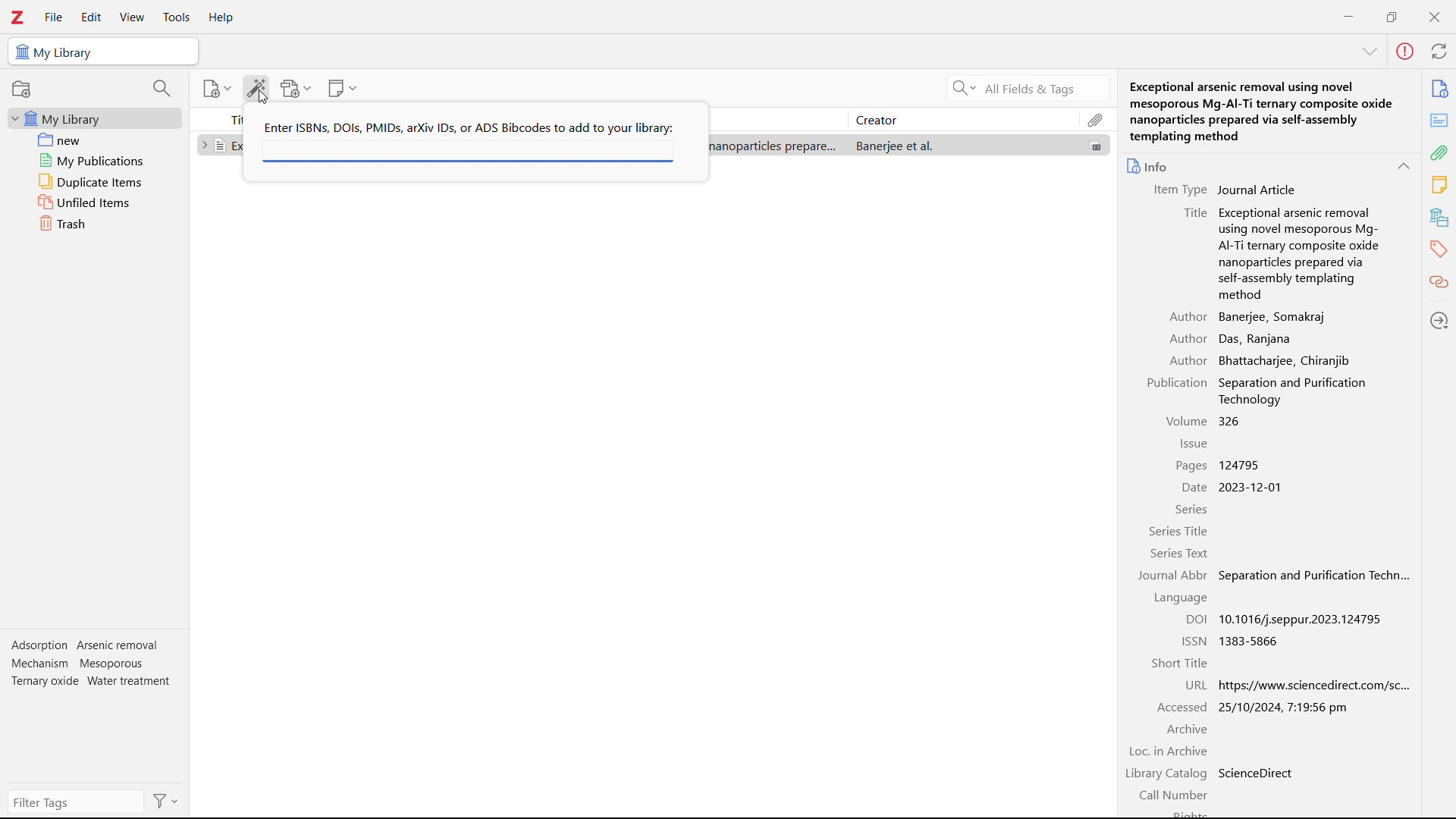 This screenshot has width=1456, height=819. I want to click on Science direct, so click(1259, 773).